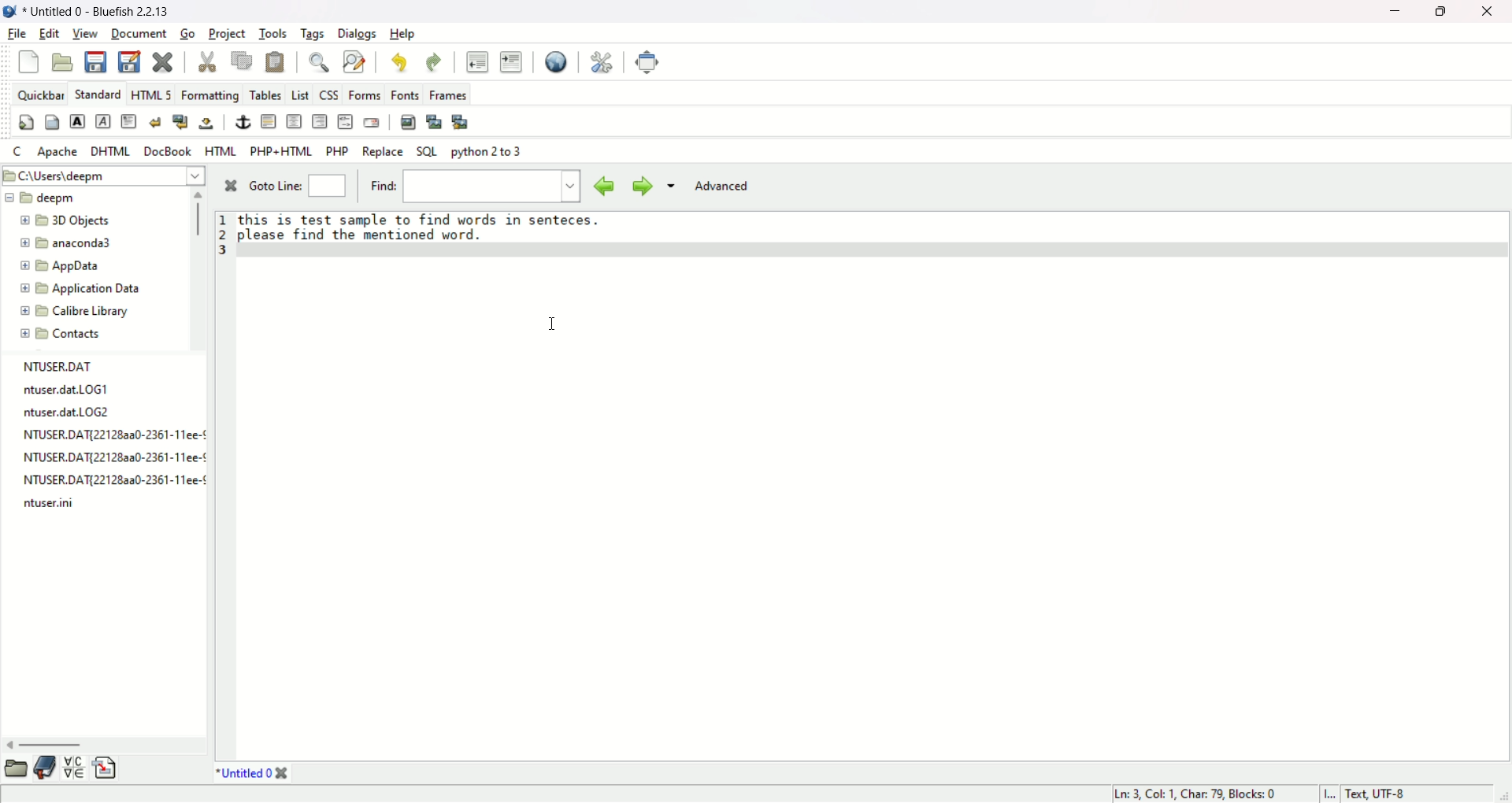 Image resolution: width=1512 pixels, height=803 pixels. What do you see at coordinates (486, 152) in the screenshot?
I see `python 2 to 3` at bounding box center [486, 152].